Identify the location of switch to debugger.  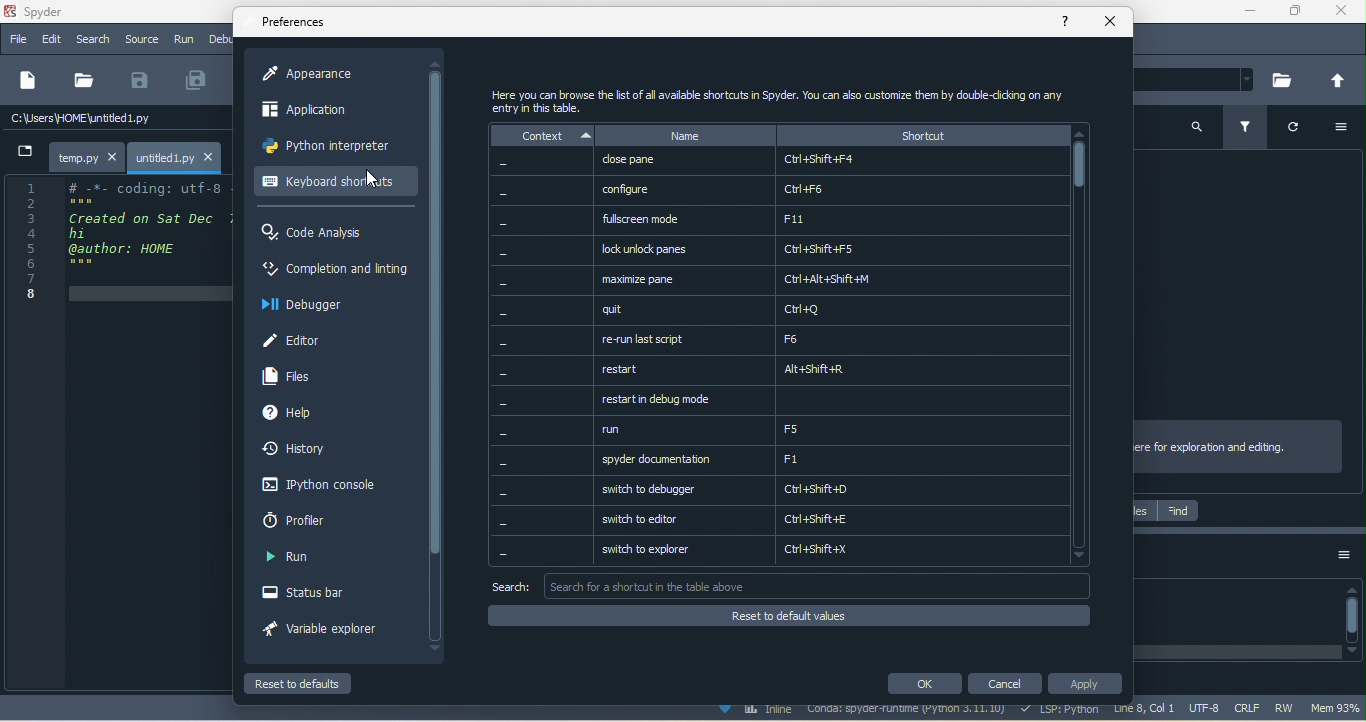
(825, 490).